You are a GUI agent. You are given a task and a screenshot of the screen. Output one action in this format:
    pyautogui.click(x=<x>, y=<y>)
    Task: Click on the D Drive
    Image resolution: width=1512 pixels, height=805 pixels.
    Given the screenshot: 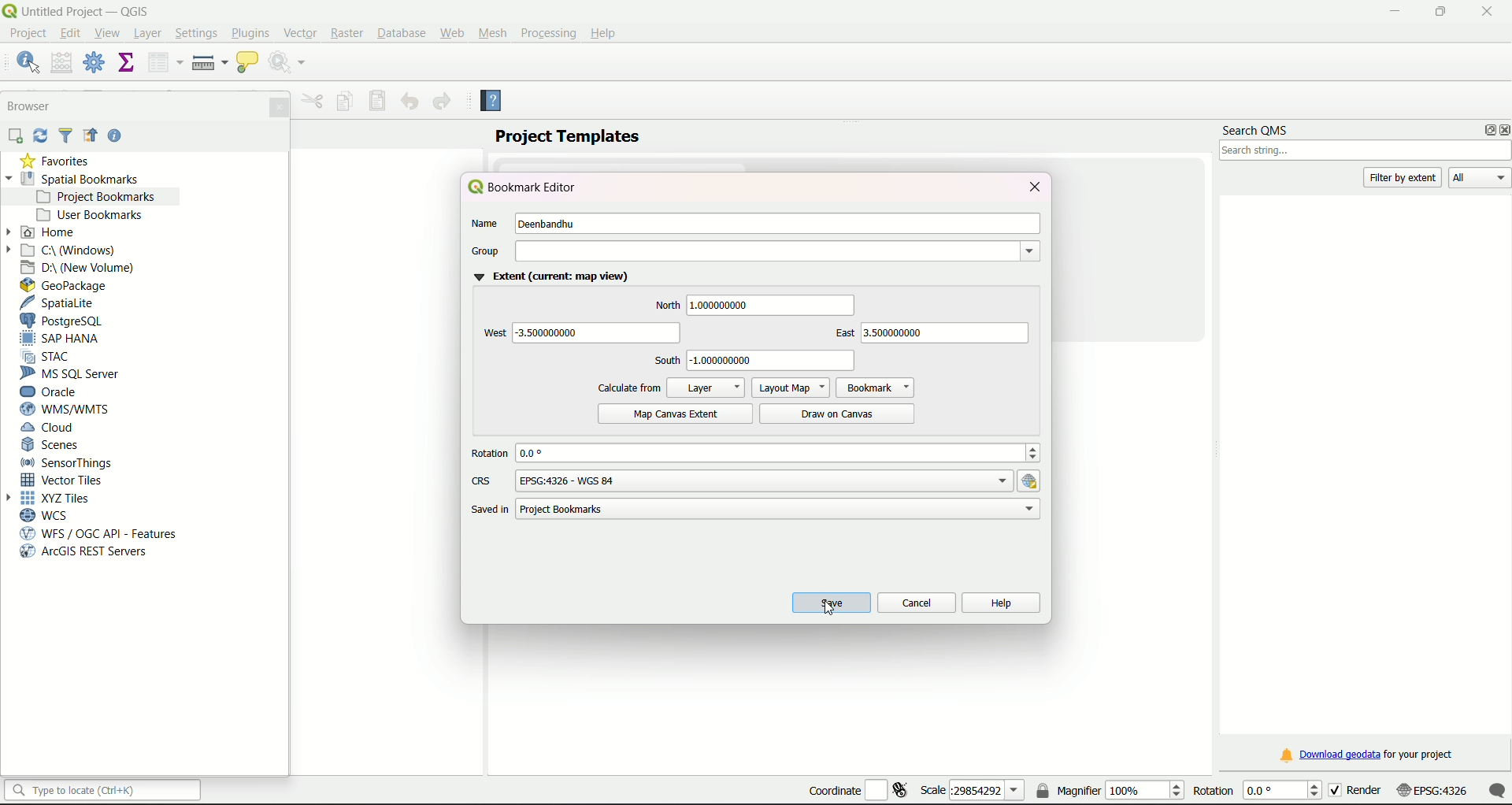 What is the action you would take?
    pyautogui.click(x=79, y=269)
    